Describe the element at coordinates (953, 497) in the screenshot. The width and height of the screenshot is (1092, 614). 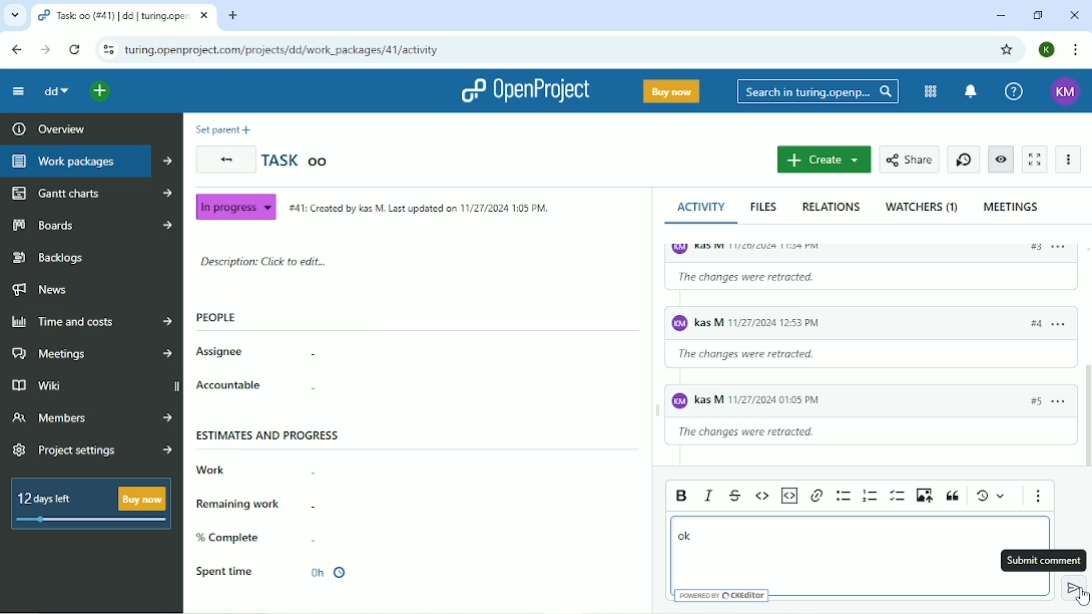
I see `Block quote` at that location.